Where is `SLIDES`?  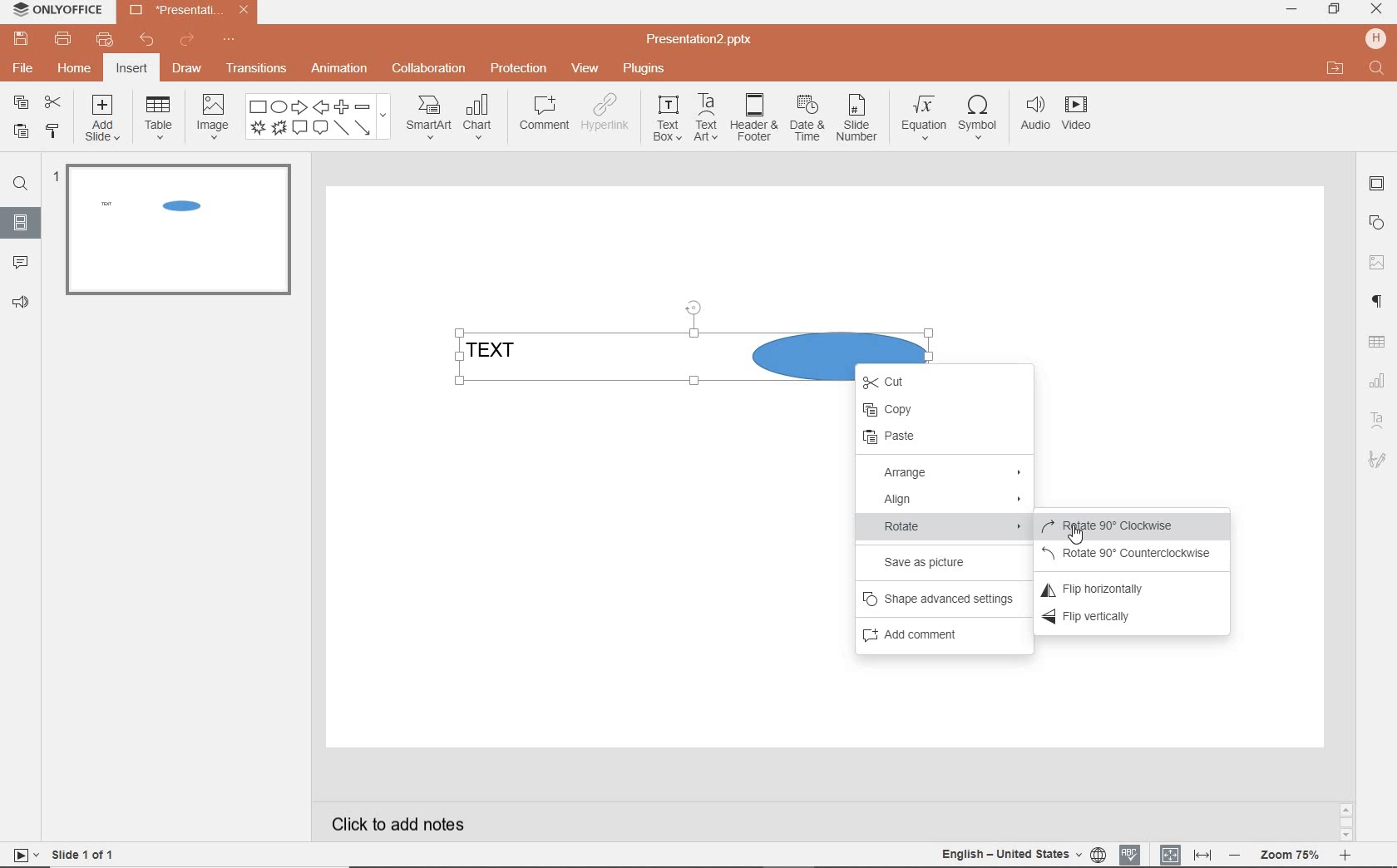 SLIDES is located at coordinates (22, 221).